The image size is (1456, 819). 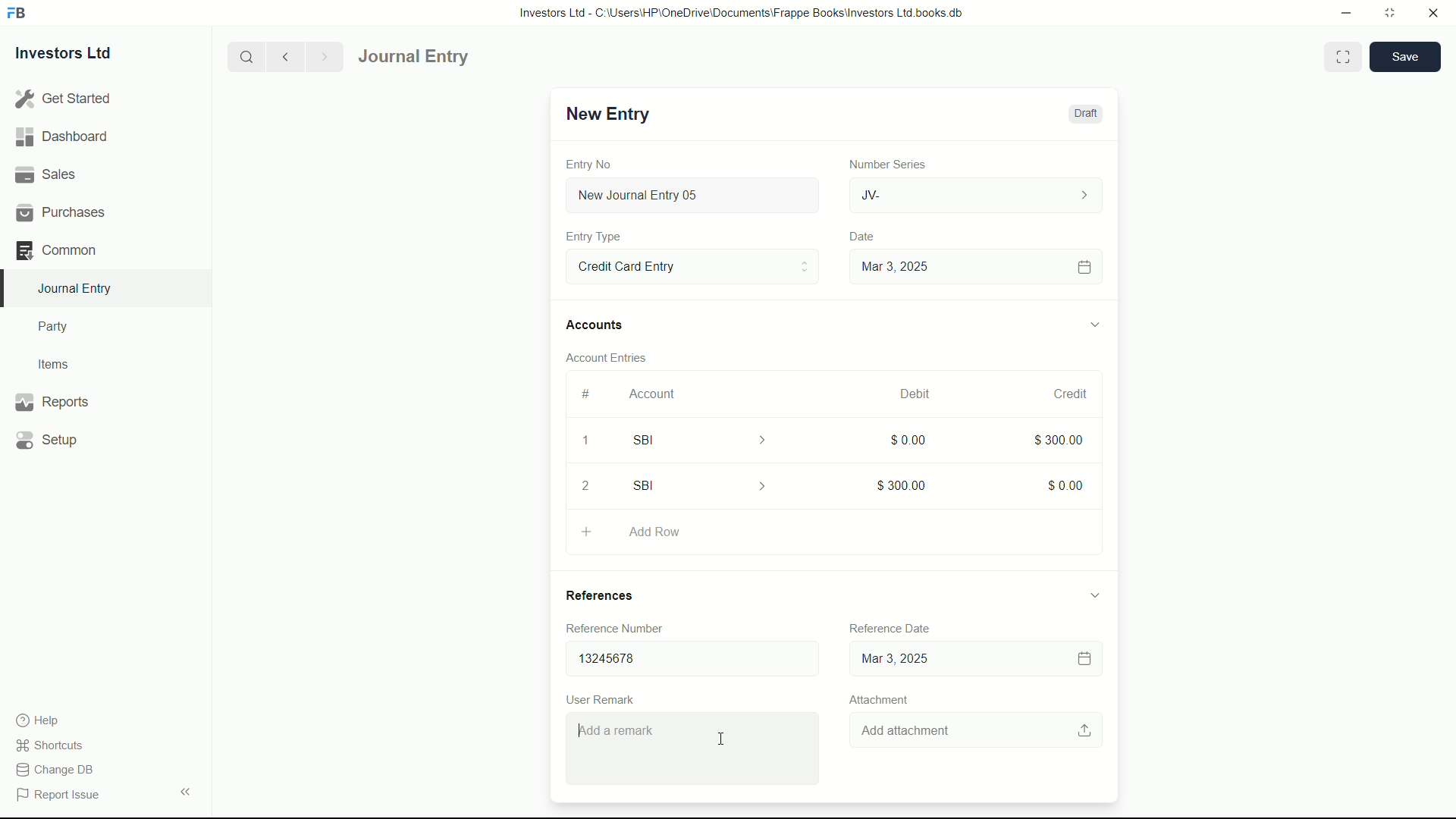 What do you see at coordinates (887, 626) in the screenshot?
I see `Reference date` at bounding box center [887, 626].